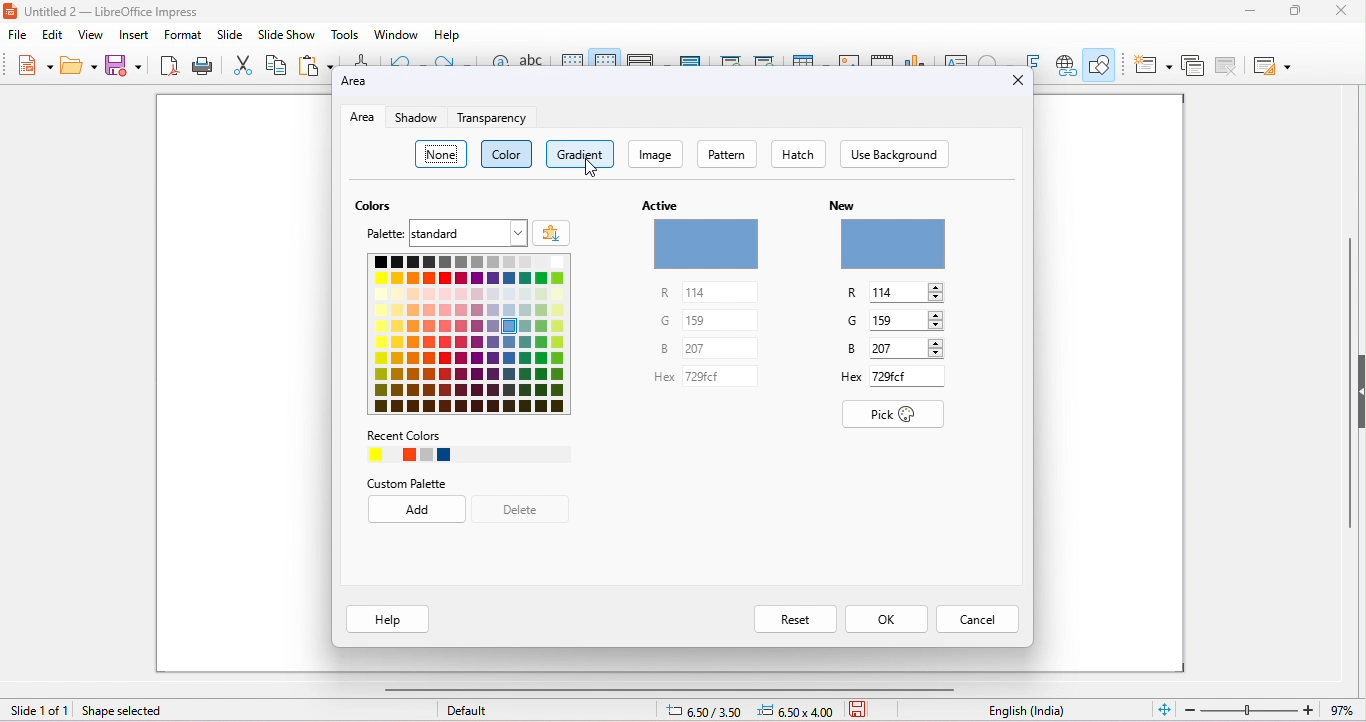  What do you see at coordinates (549, 231) in the screenshot?
I see `add color palettes` at bounding box center [549, 231].